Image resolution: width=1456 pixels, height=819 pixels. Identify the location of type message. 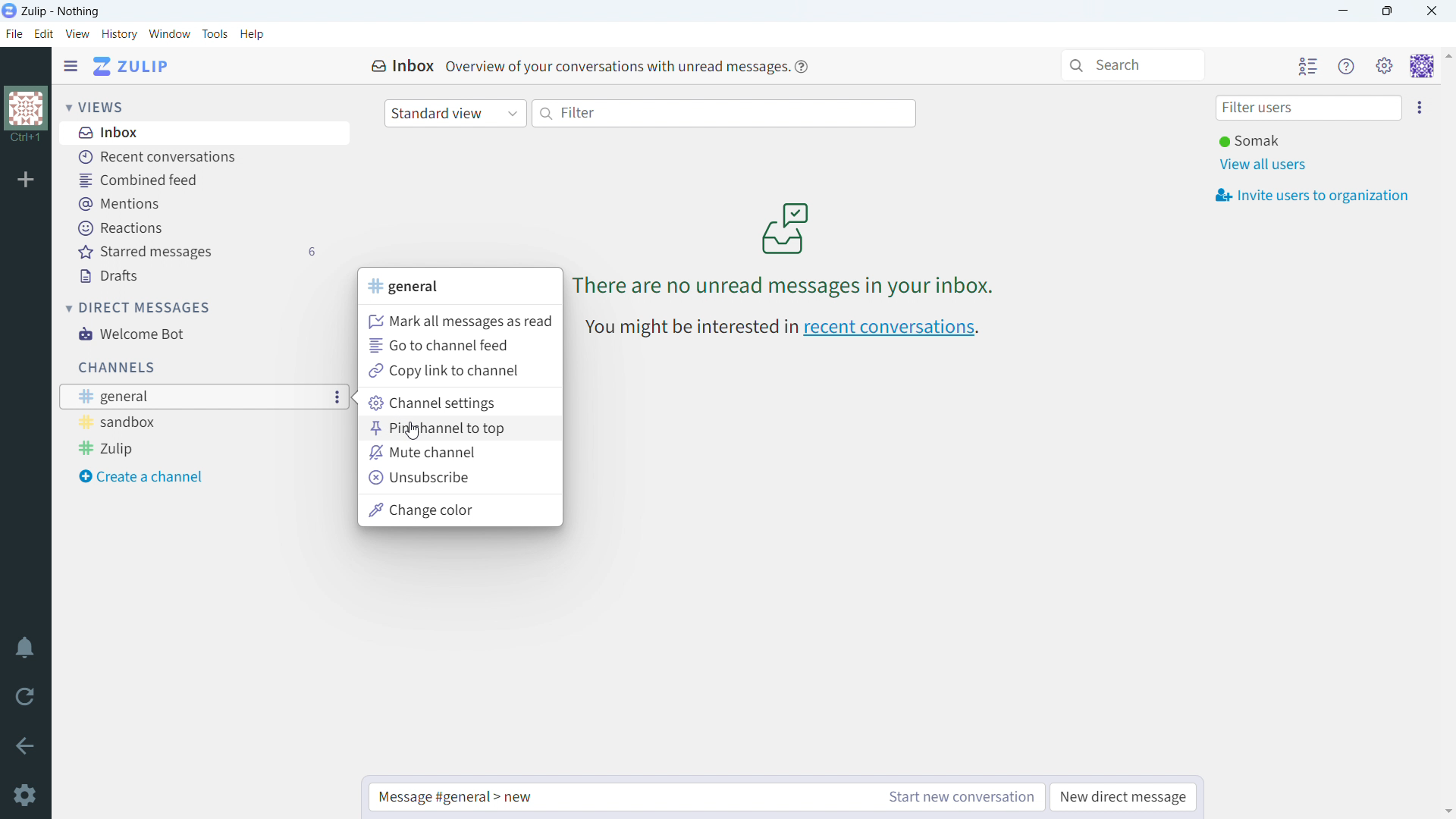
(617, 797).